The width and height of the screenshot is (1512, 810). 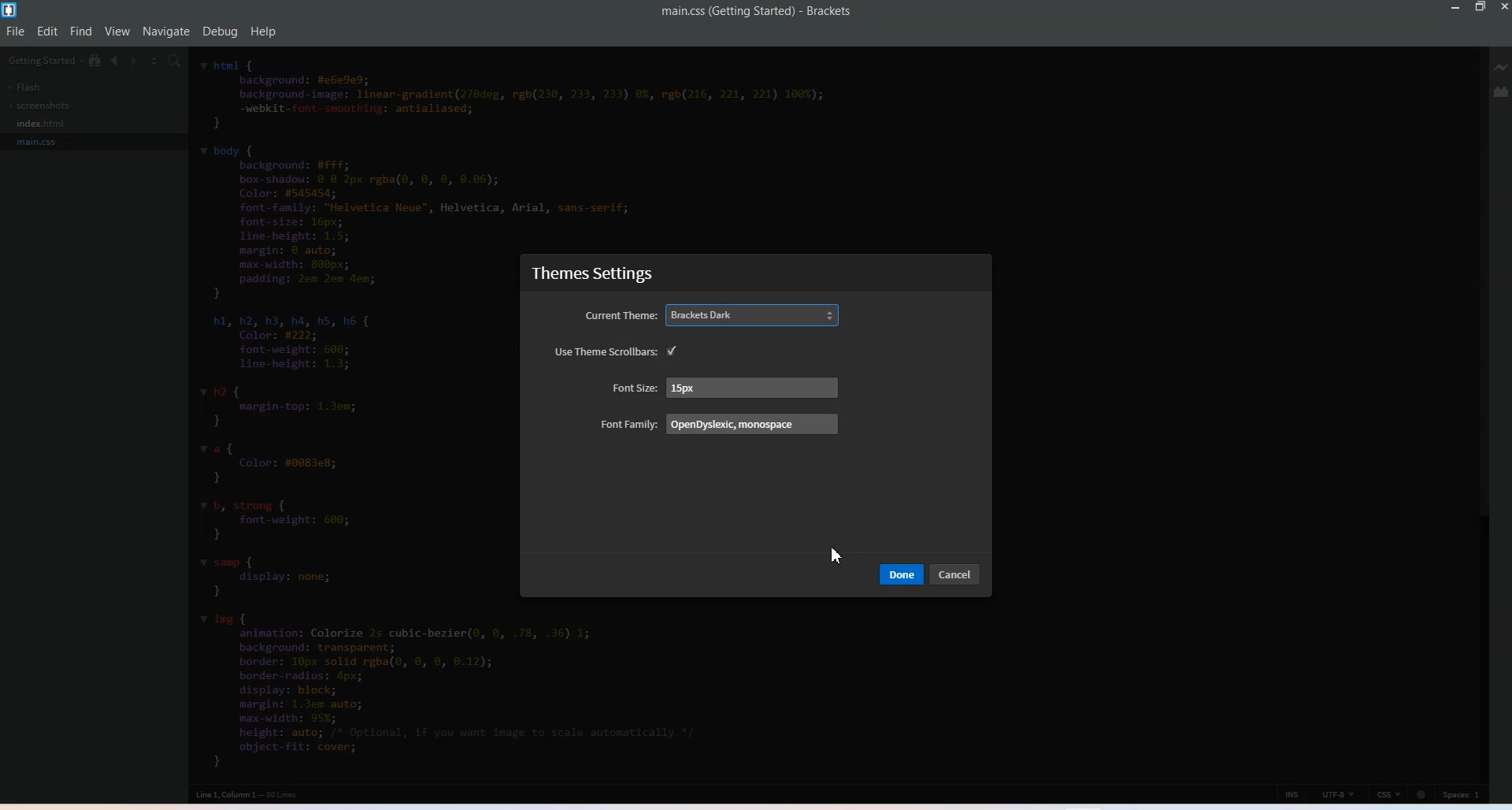 I want to click on CSS, so click(x=1389, y=793).